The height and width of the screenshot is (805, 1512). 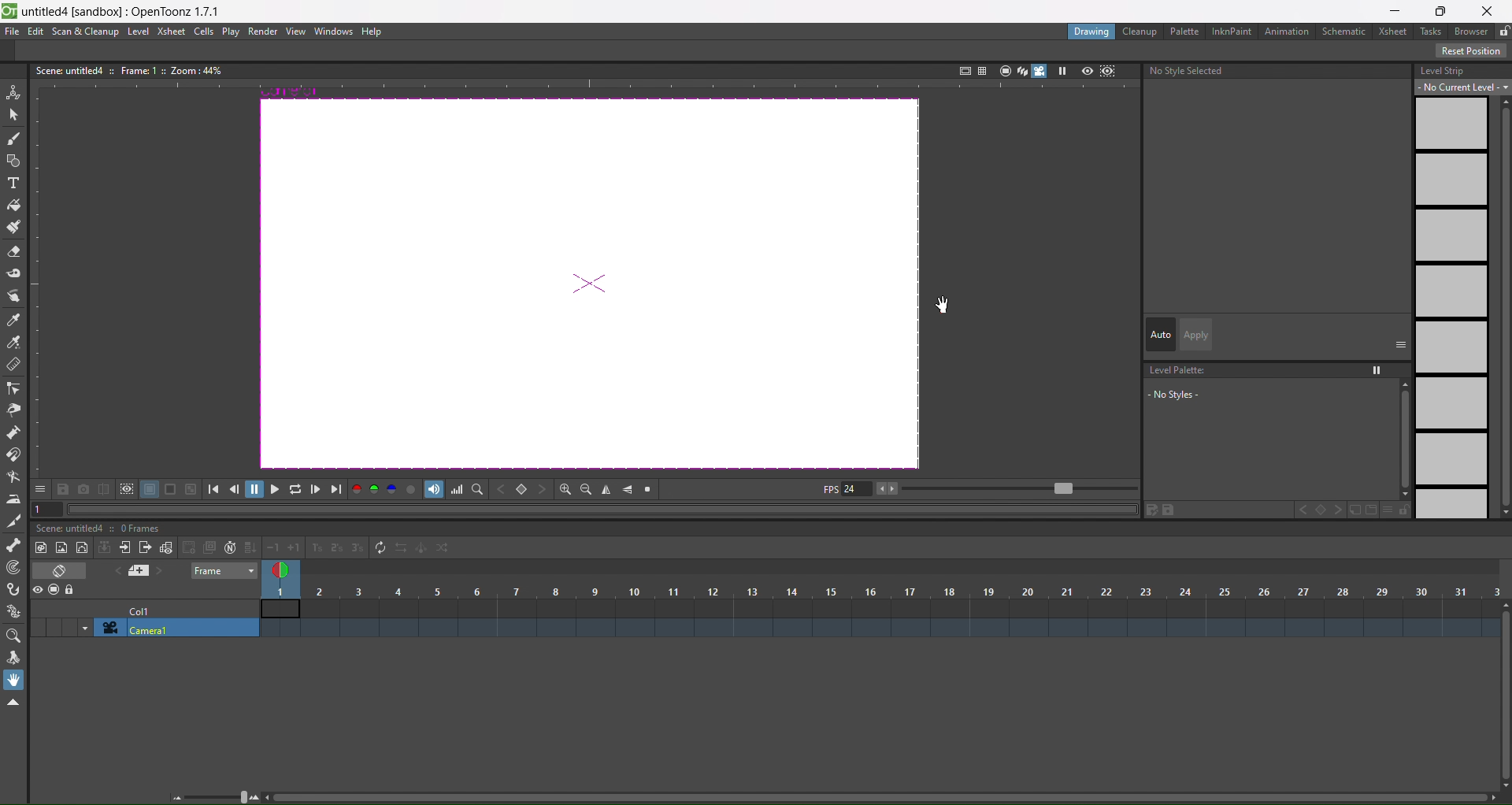 What do you see at coordinates (1471, 32) in the screenshot?
I see `browser` at bounding box center [1471, 32].